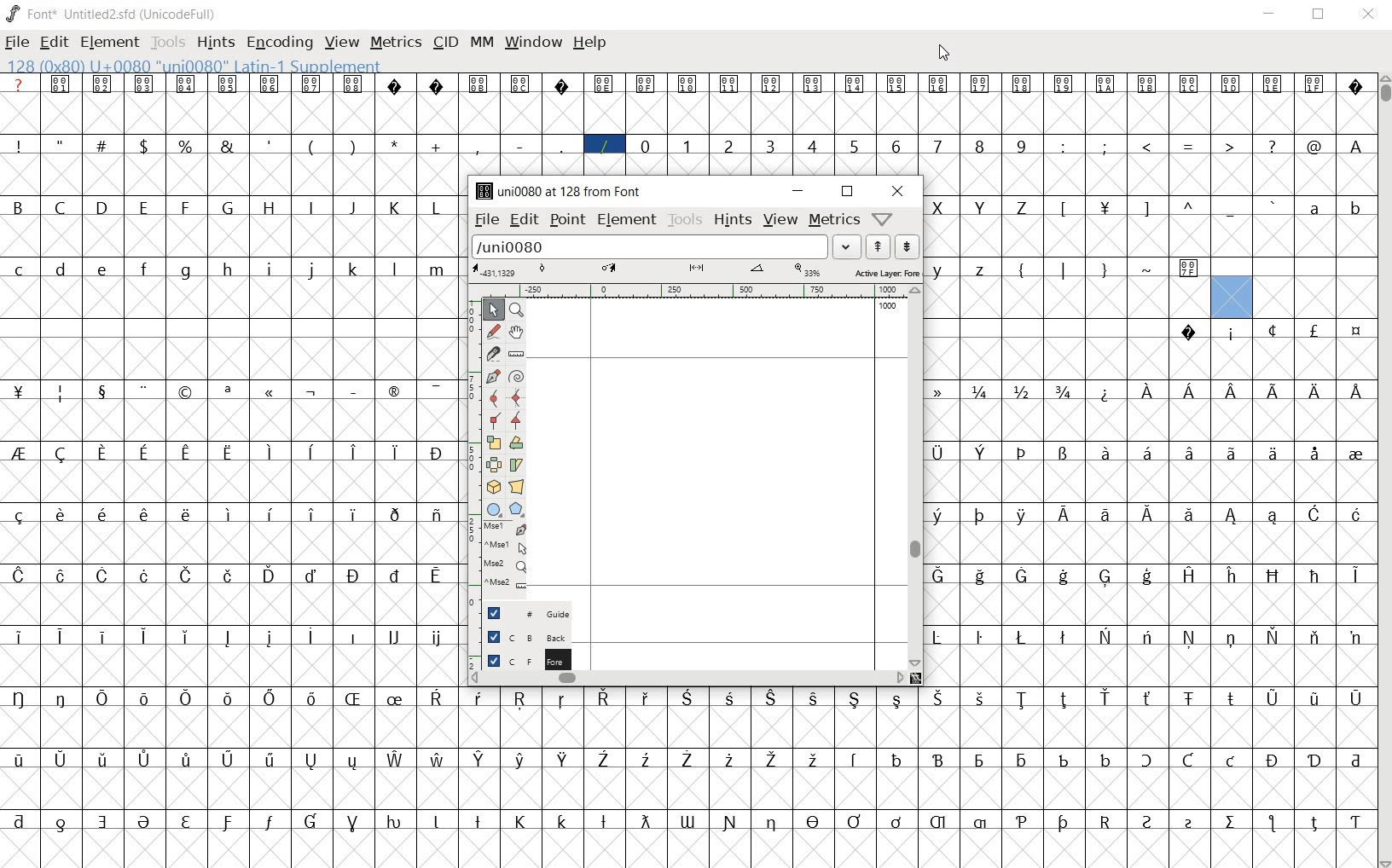 The image size is (1392, 868). Describe the element at coordinates (1190, 453) in the screenshot. I see `glyph` at that location.